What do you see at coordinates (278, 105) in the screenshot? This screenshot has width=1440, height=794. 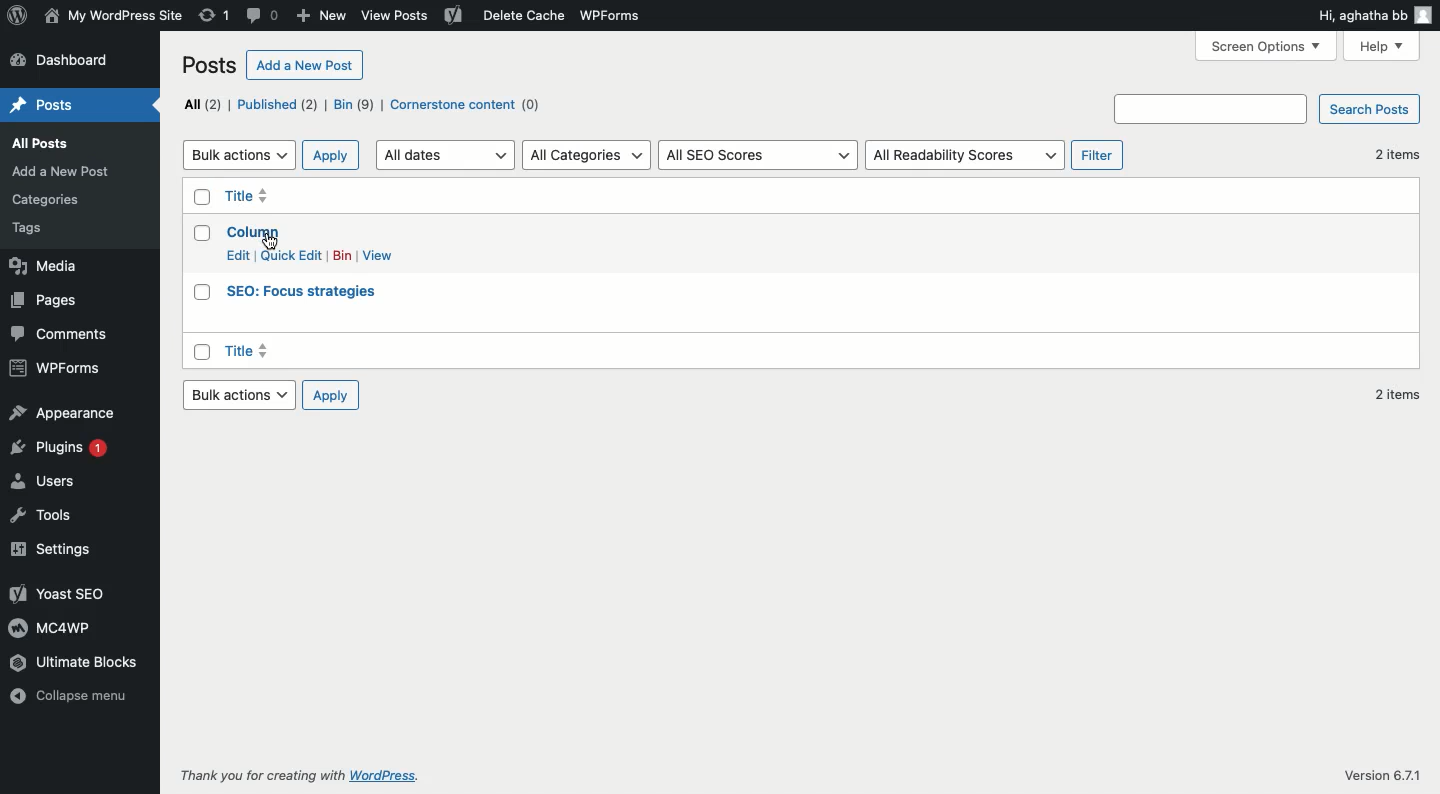 I see `Published` at bounding box center [278, 105].